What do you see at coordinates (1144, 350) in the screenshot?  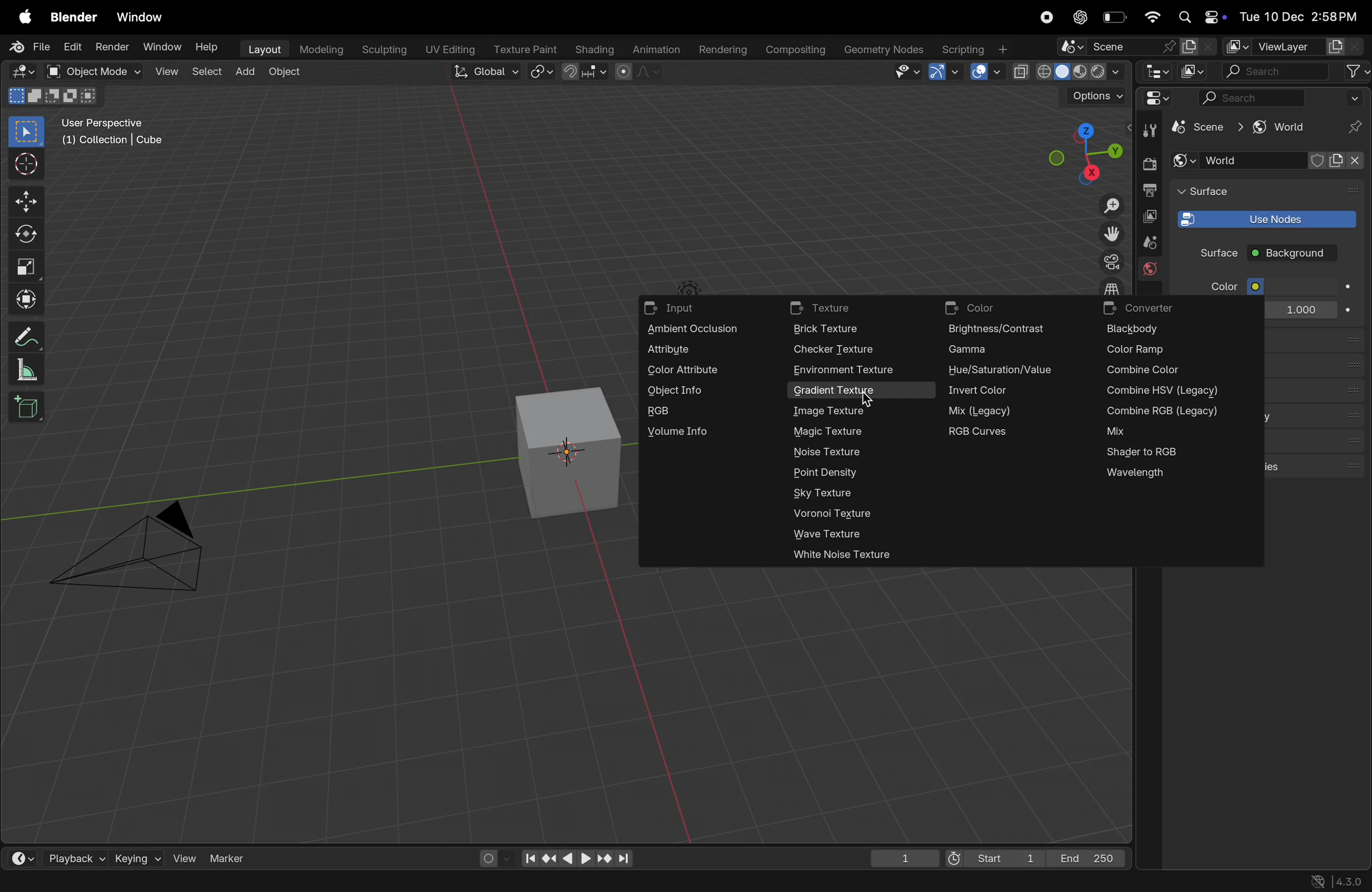 I see `Color ramp` at bounding box center [1144, 350].